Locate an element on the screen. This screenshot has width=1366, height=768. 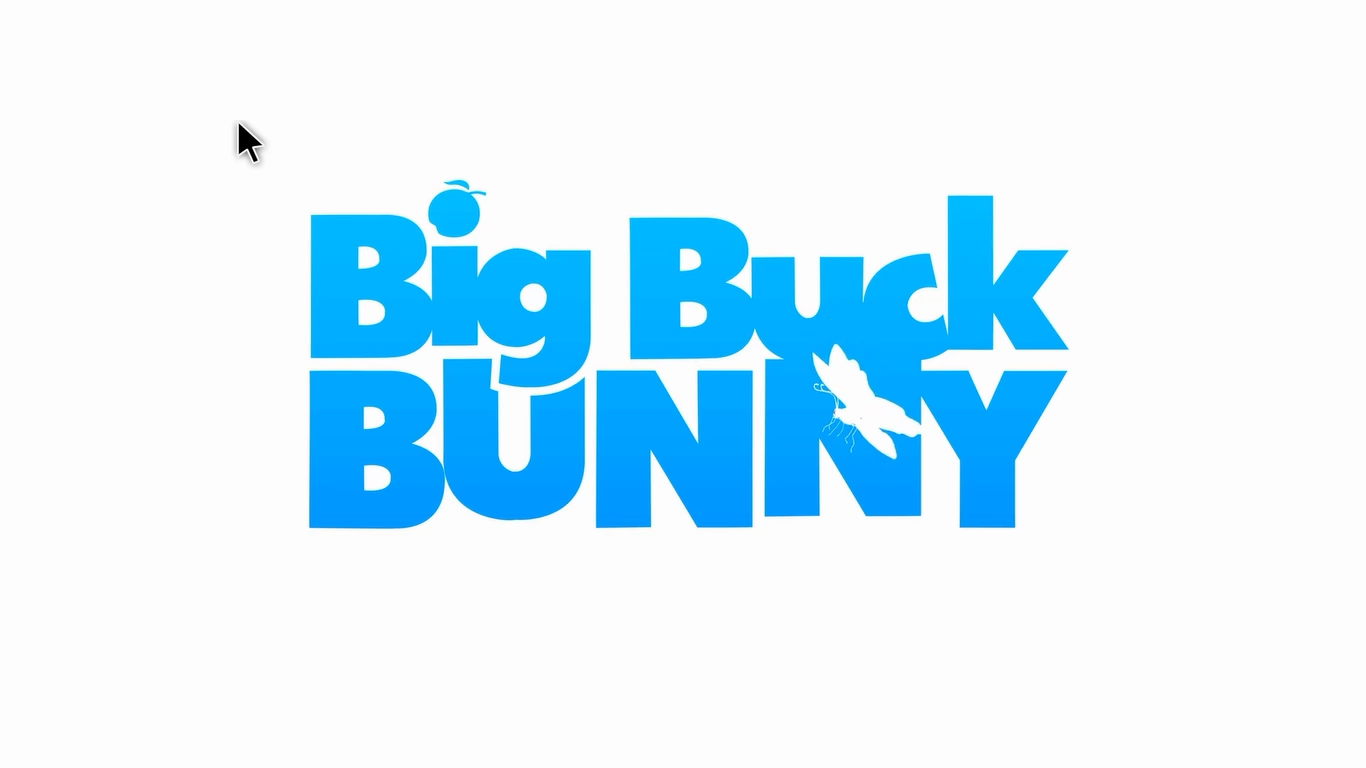
cursor is located at coordinates (256, 139).